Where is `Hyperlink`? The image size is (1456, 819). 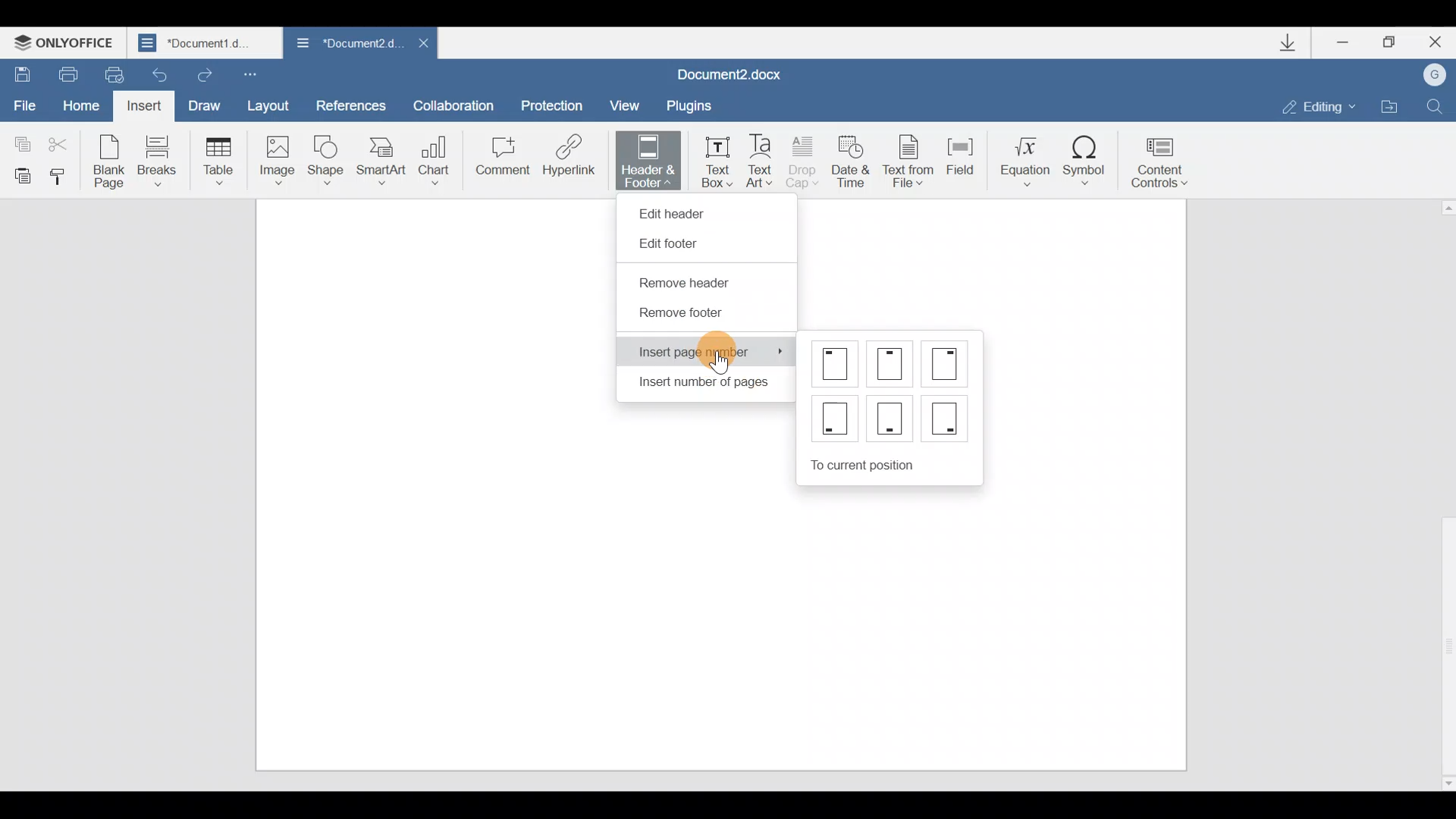 Hyperlink is located at coordinates (570, 160).